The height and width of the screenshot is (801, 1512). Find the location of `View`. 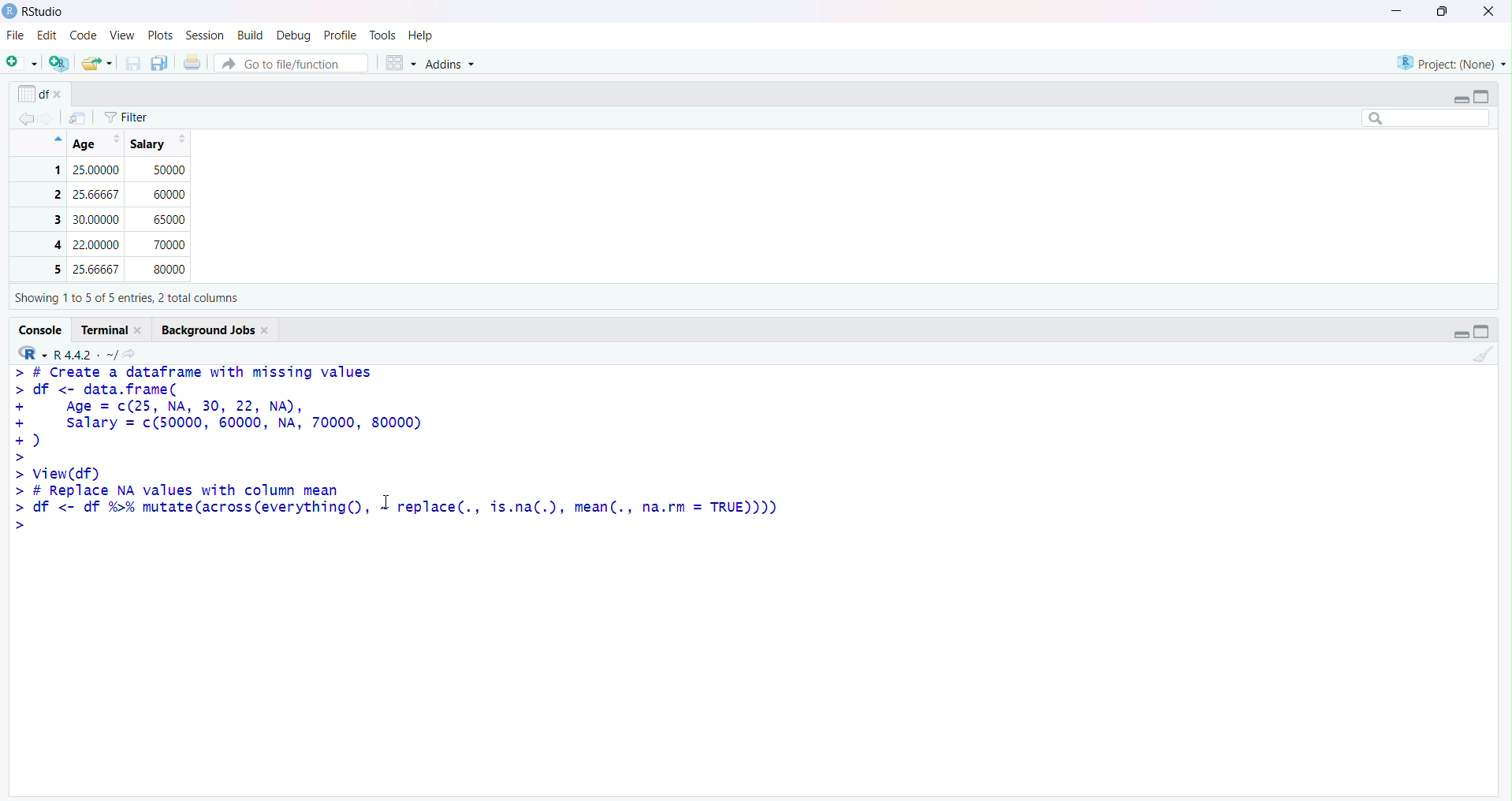

View is located at coordinates (121, 36).